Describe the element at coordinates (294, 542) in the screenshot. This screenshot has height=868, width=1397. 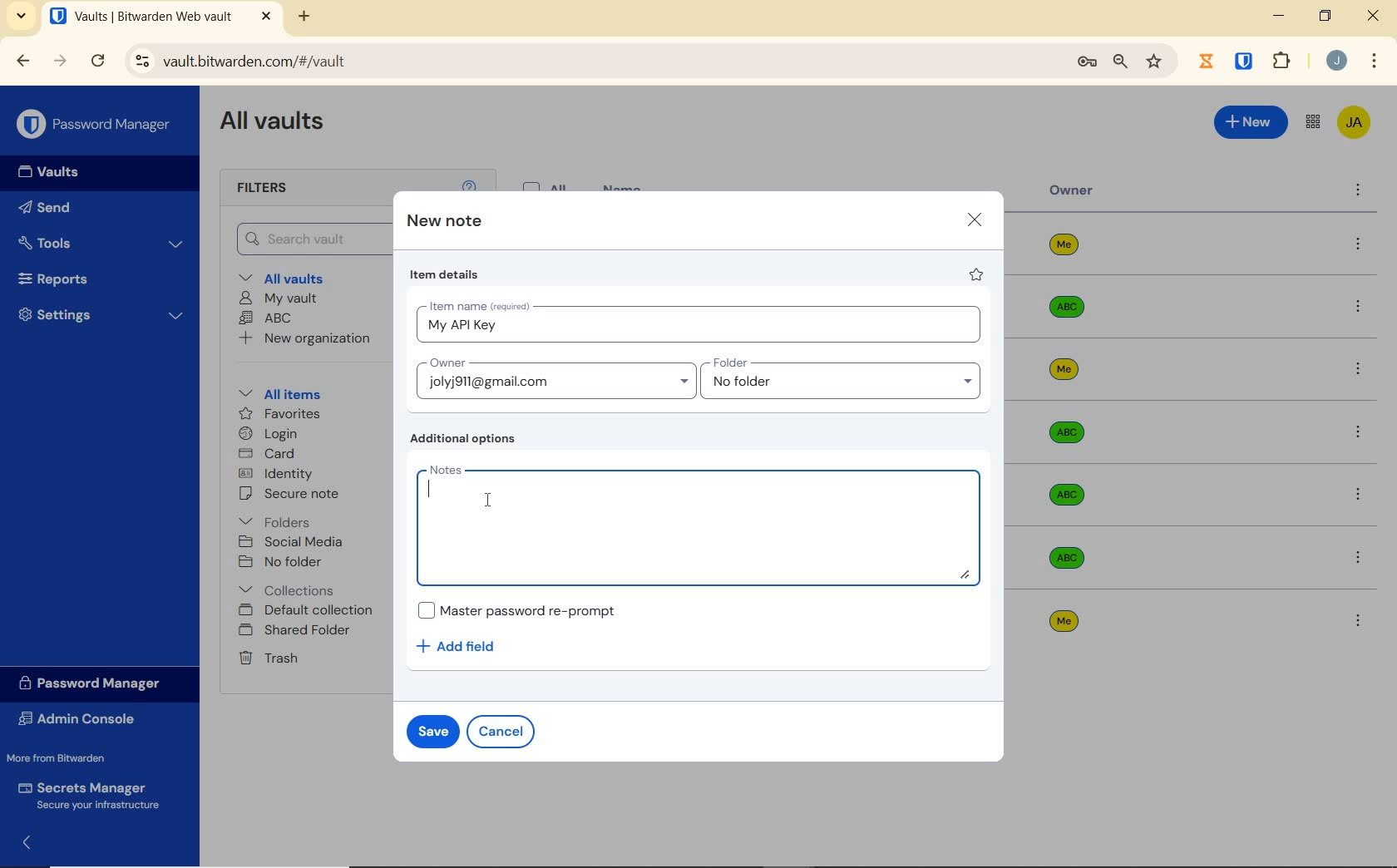
I see `SOCIAL MEDIA` at that location.